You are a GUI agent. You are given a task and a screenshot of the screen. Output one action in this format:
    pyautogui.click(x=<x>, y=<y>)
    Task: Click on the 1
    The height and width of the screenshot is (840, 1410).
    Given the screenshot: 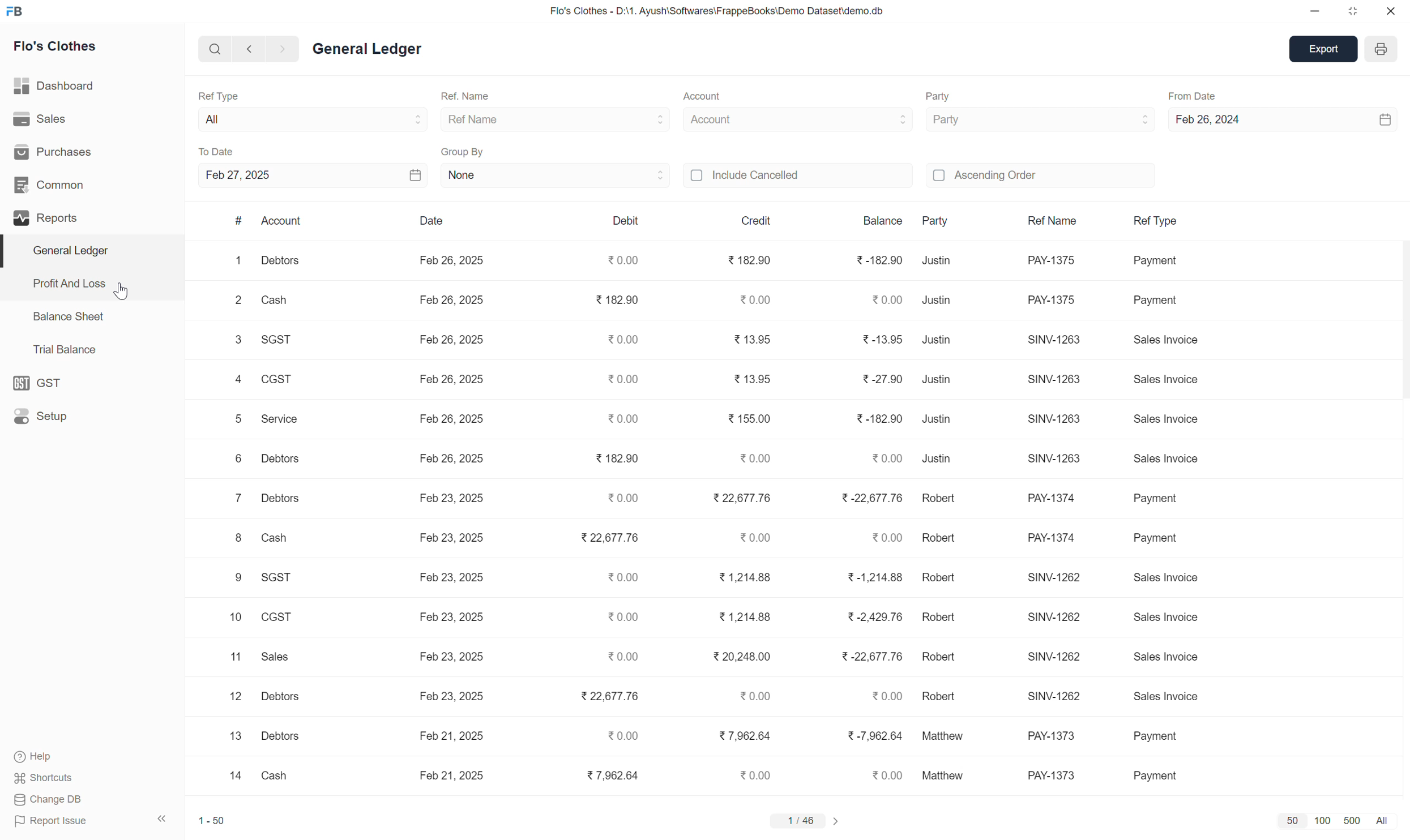 What is the action you would take?
    pyautogui.click(x=236, y=265)
    